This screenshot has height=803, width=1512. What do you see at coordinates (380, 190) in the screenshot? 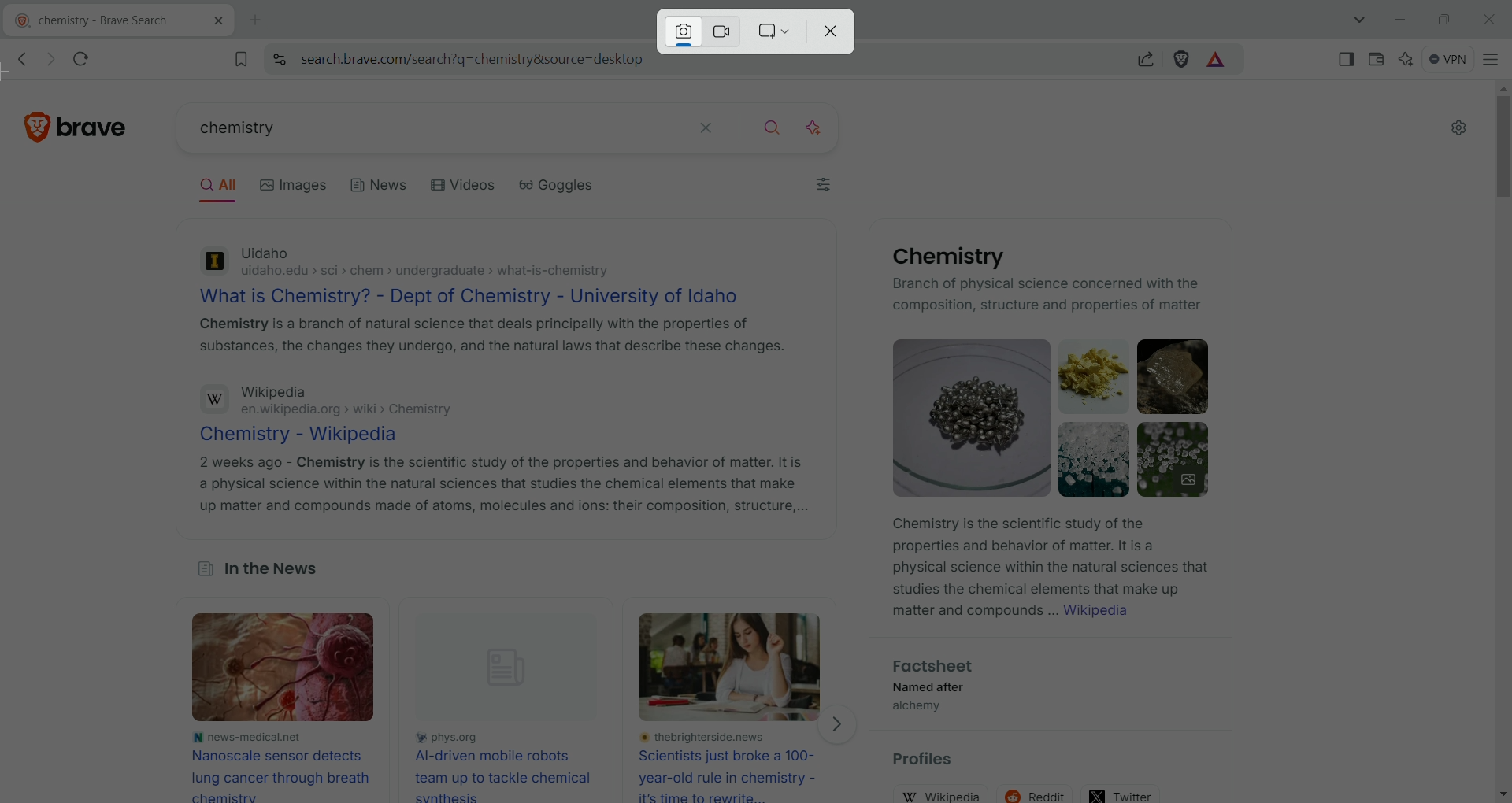
I see `News` at bounding box center [380, 190].